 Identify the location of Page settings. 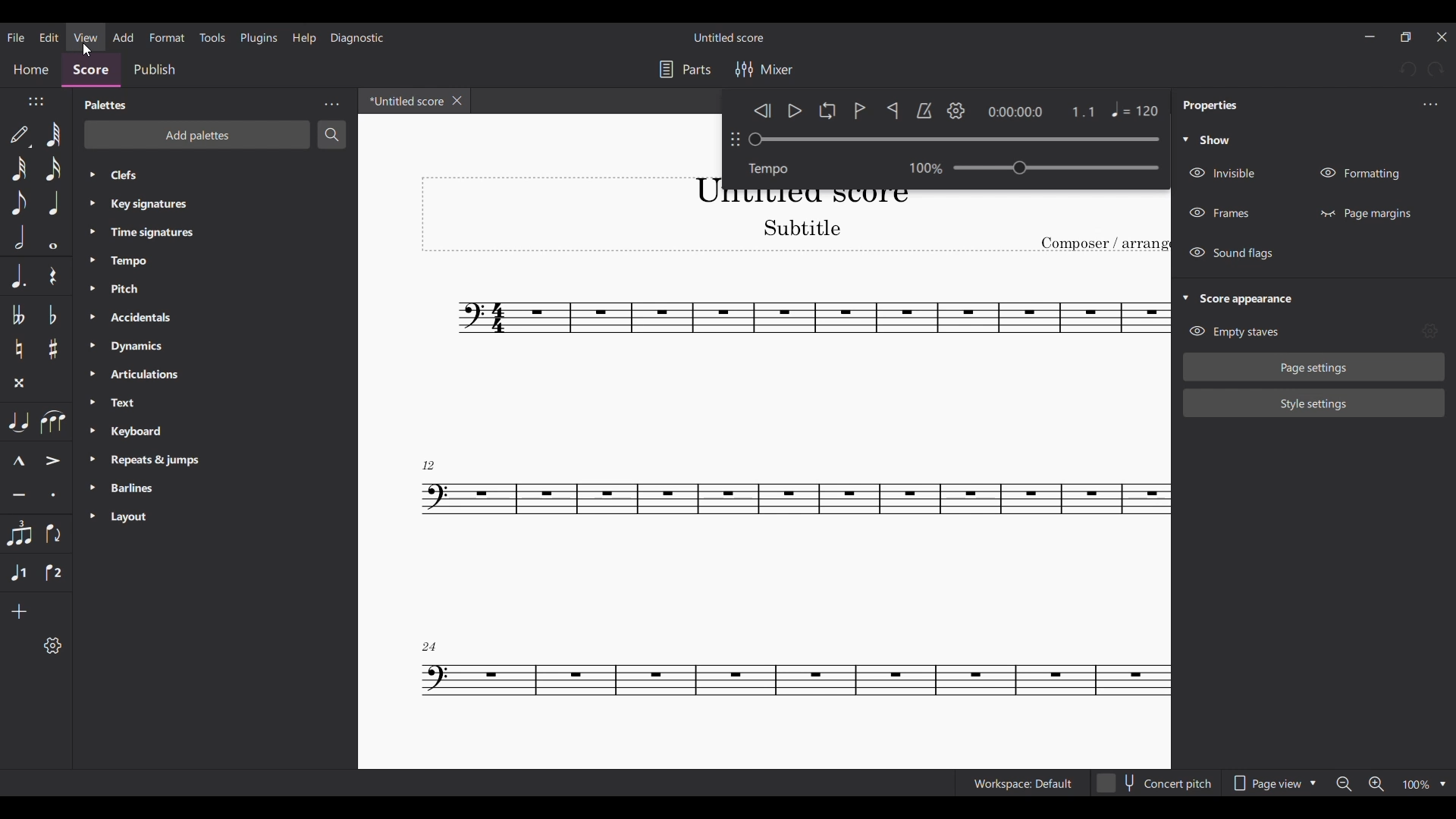
(1314, 367).